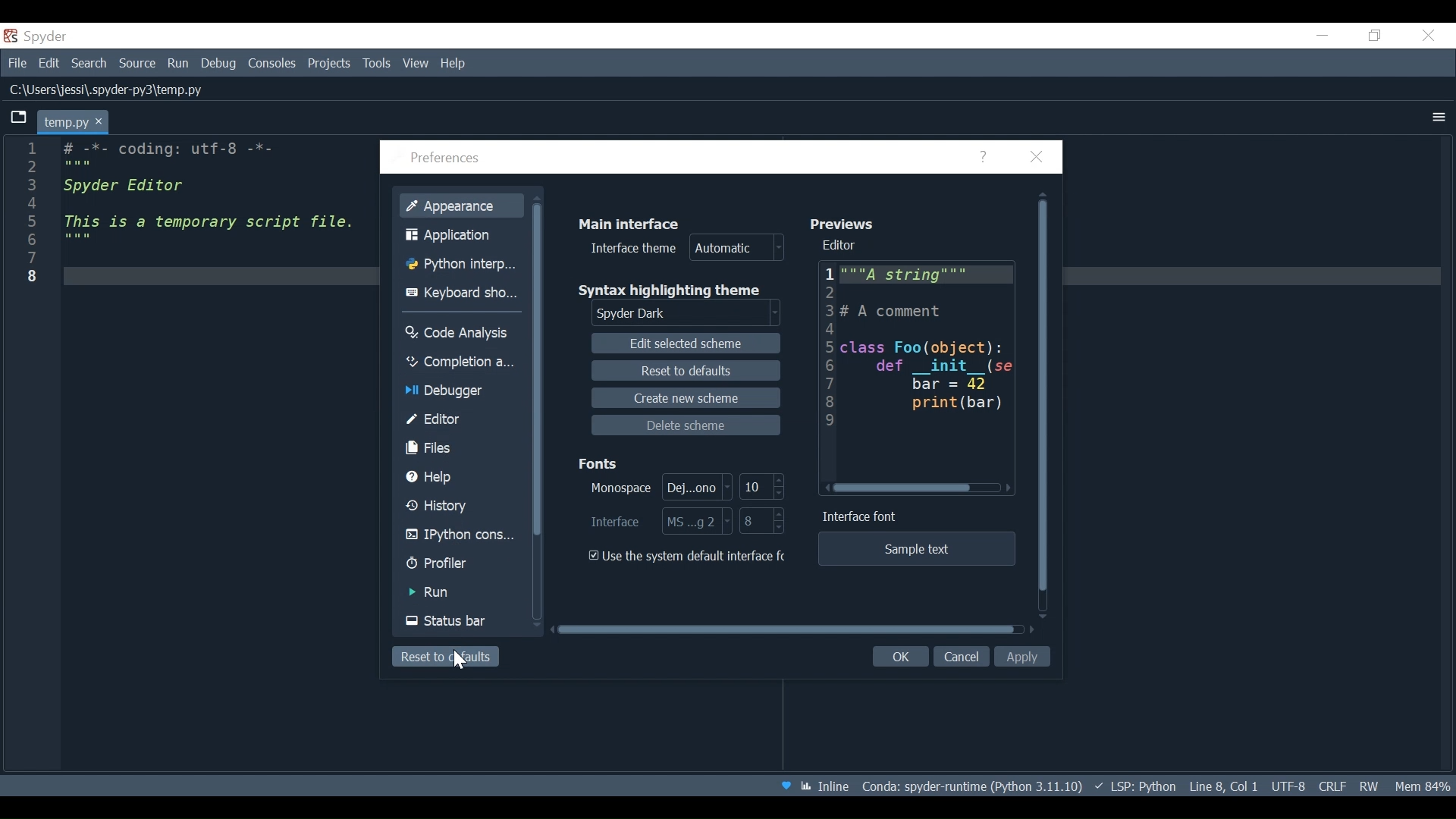 The width and height of the screenshot is (1456, 819). What do you see at coordinates (1134, 786) in the screenshot?
I see `Language` at bounding box center [1134, 786].